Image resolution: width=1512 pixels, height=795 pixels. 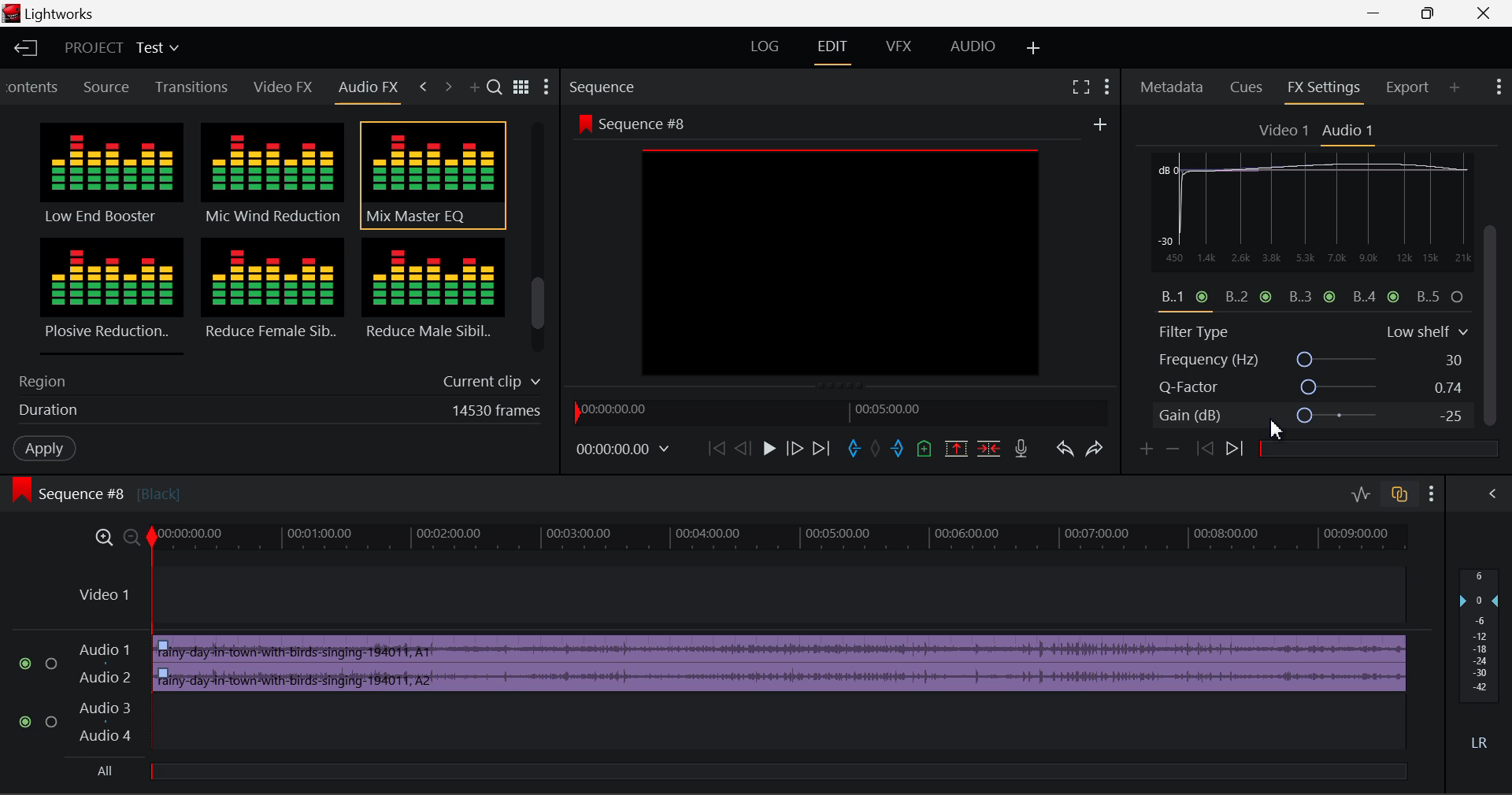 What do you see at coordinates (762, 47) in the screenshot?
I see `LOG Layout` at bounding box center [762, 47].